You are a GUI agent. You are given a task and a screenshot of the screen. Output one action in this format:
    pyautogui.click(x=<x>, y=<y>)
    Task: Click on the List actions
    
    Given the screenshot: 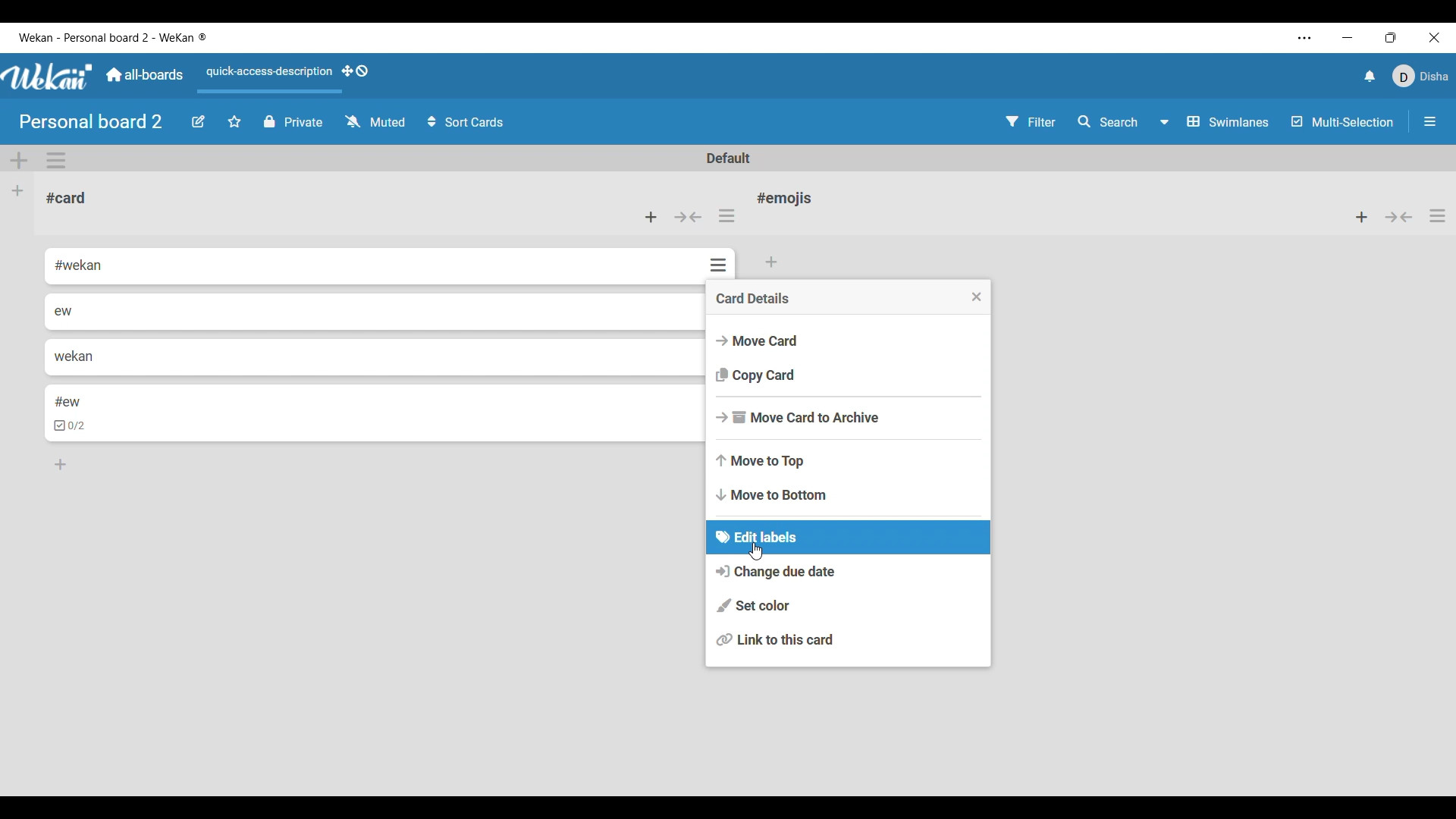 What is the action you would take?
    pyautogui.click(x=726, y=215)
    